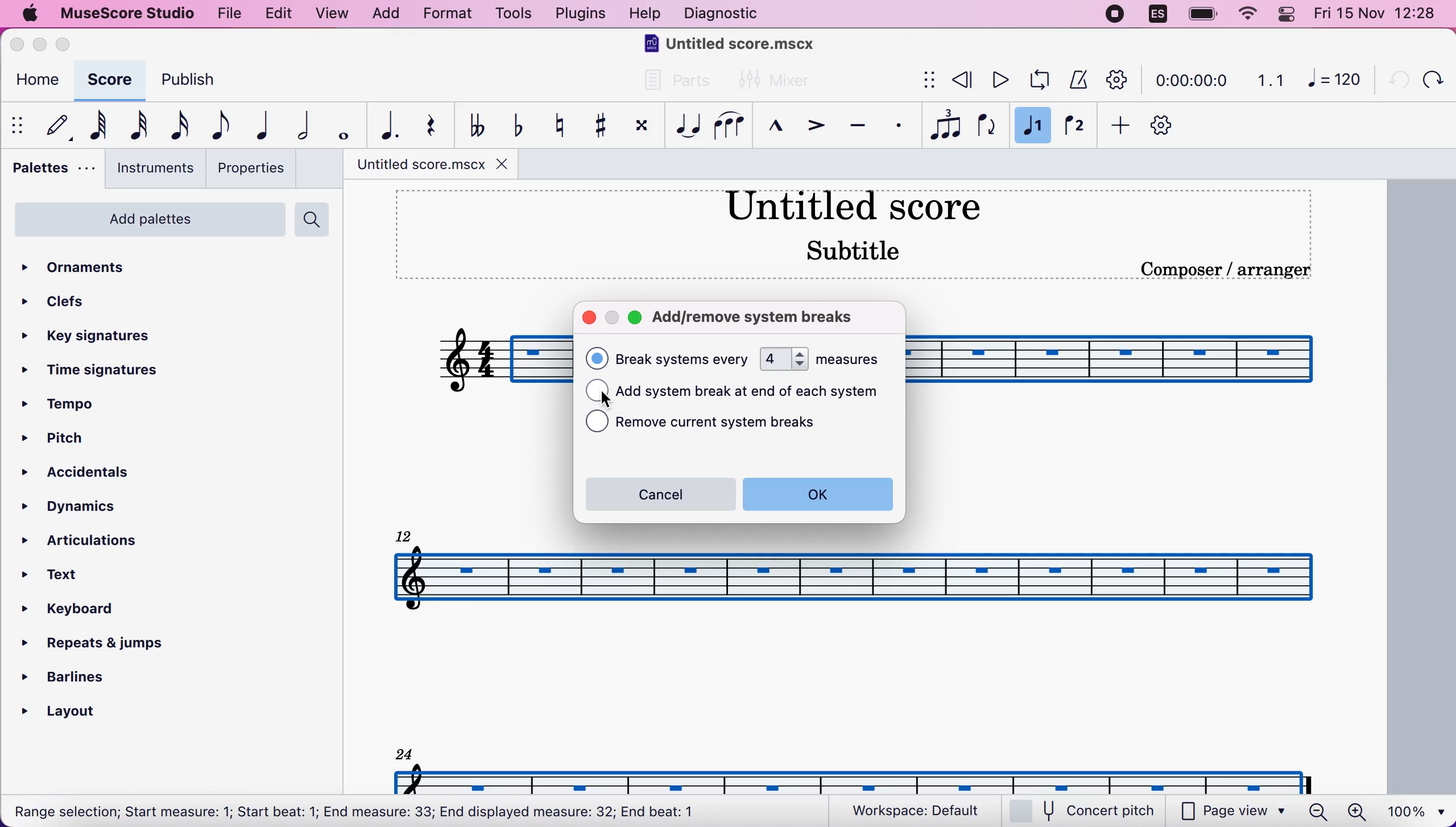 The width and height of the screenshot is (1456, 827). I want to click on parts, so click(671, 85).